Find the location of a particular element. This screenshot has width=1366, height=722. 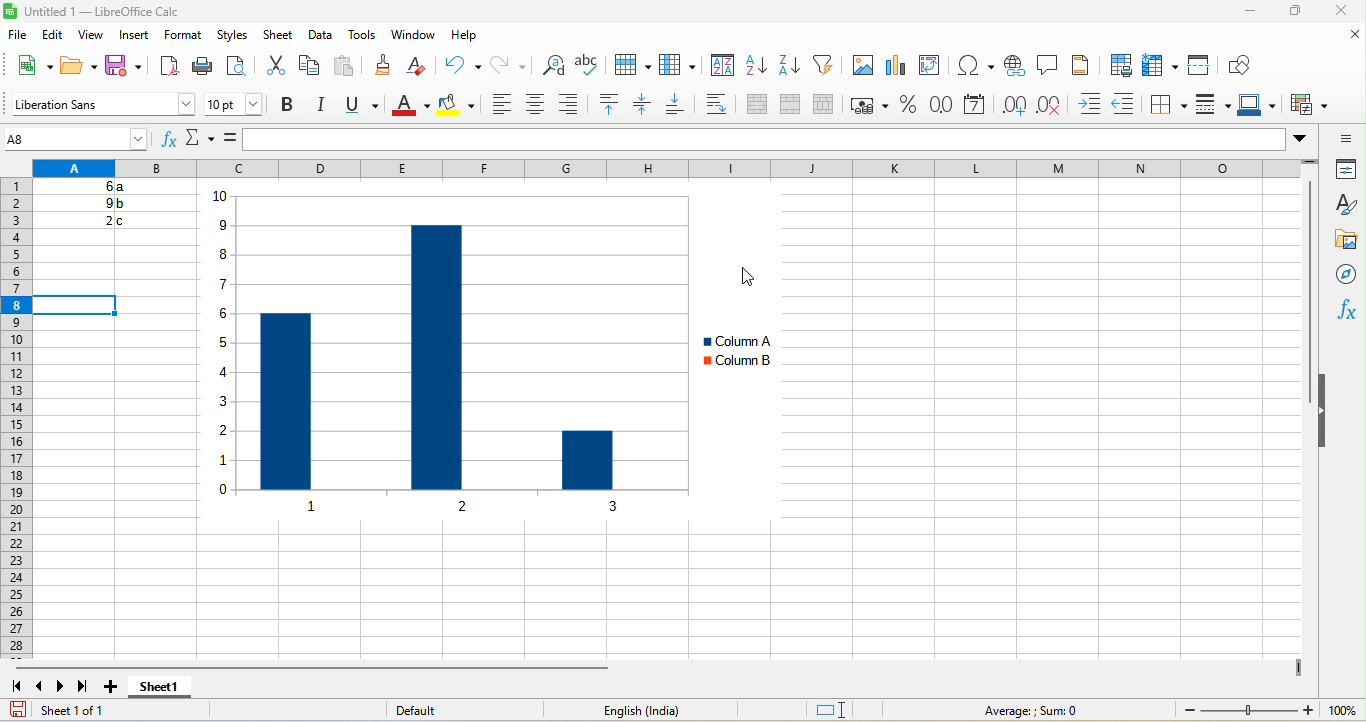

percent is located at coordinates (907, 107).